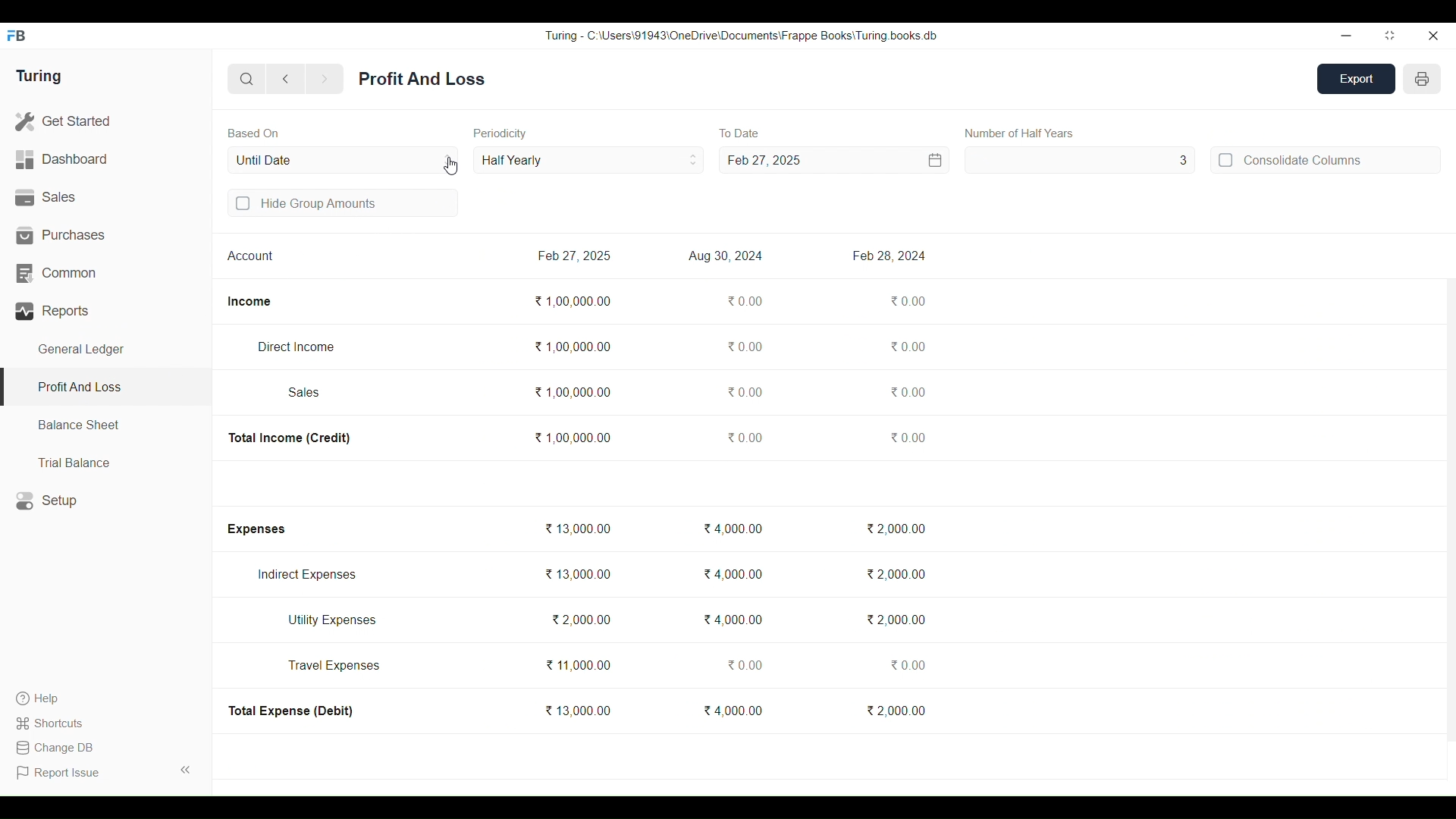  I want to click on Sales, so click(305, 392).